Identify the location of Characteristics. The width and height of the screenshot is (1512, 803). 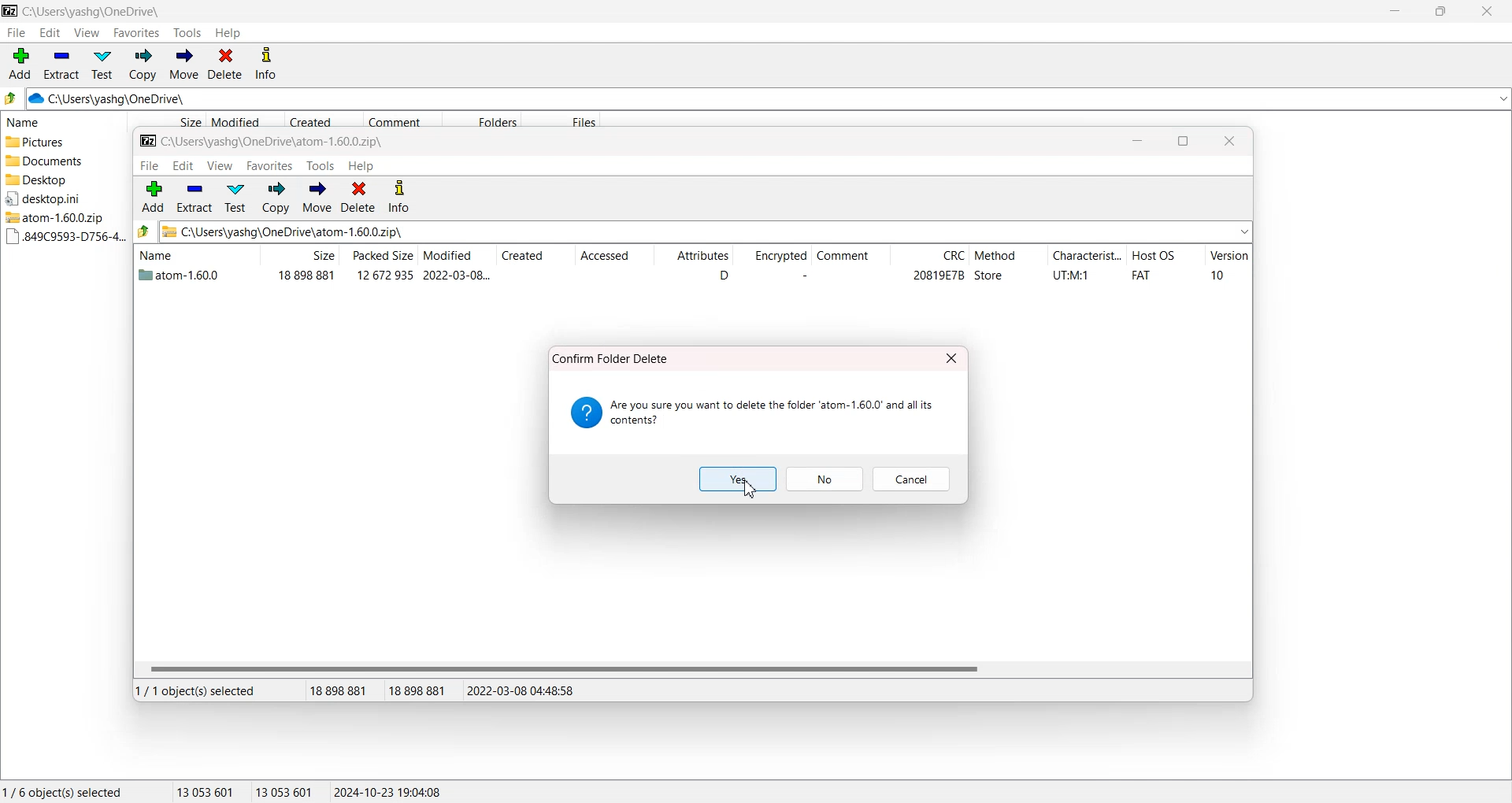
(1087, 257).